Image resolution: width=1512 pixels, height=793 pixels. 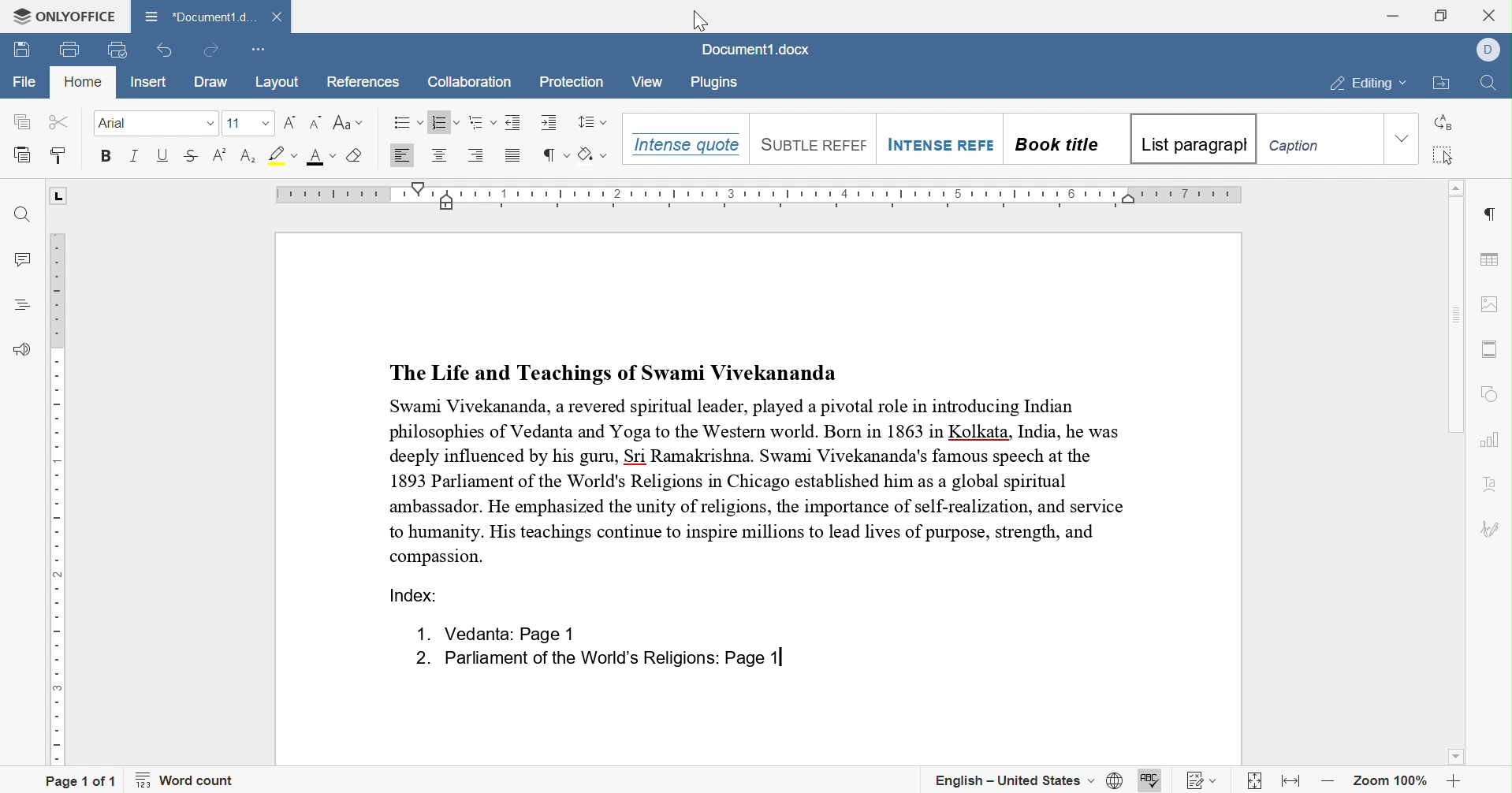 I want to click on fit to page, so click(x=1255, y=784).